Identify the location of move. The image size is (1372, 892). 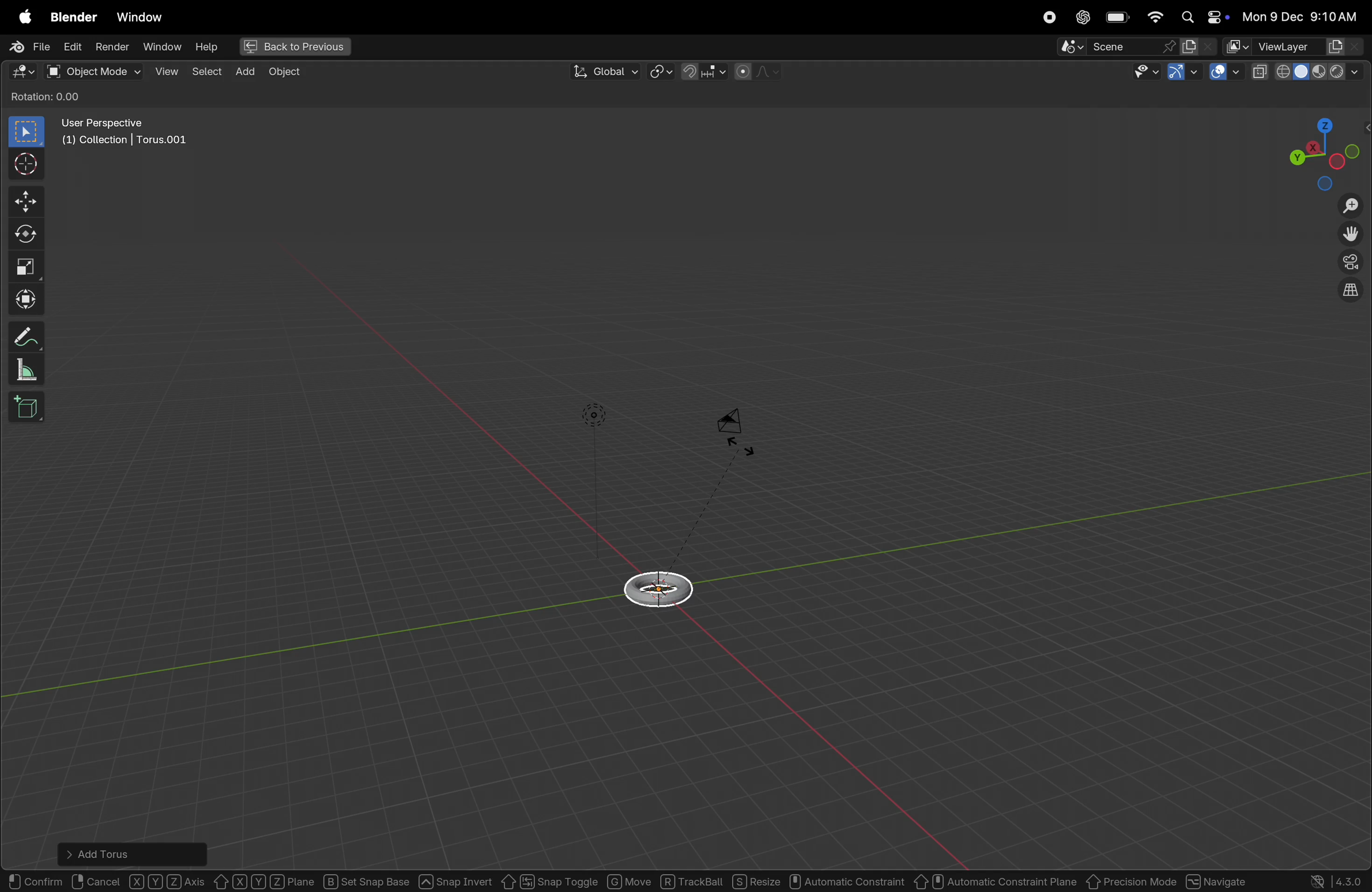
(629, 879).